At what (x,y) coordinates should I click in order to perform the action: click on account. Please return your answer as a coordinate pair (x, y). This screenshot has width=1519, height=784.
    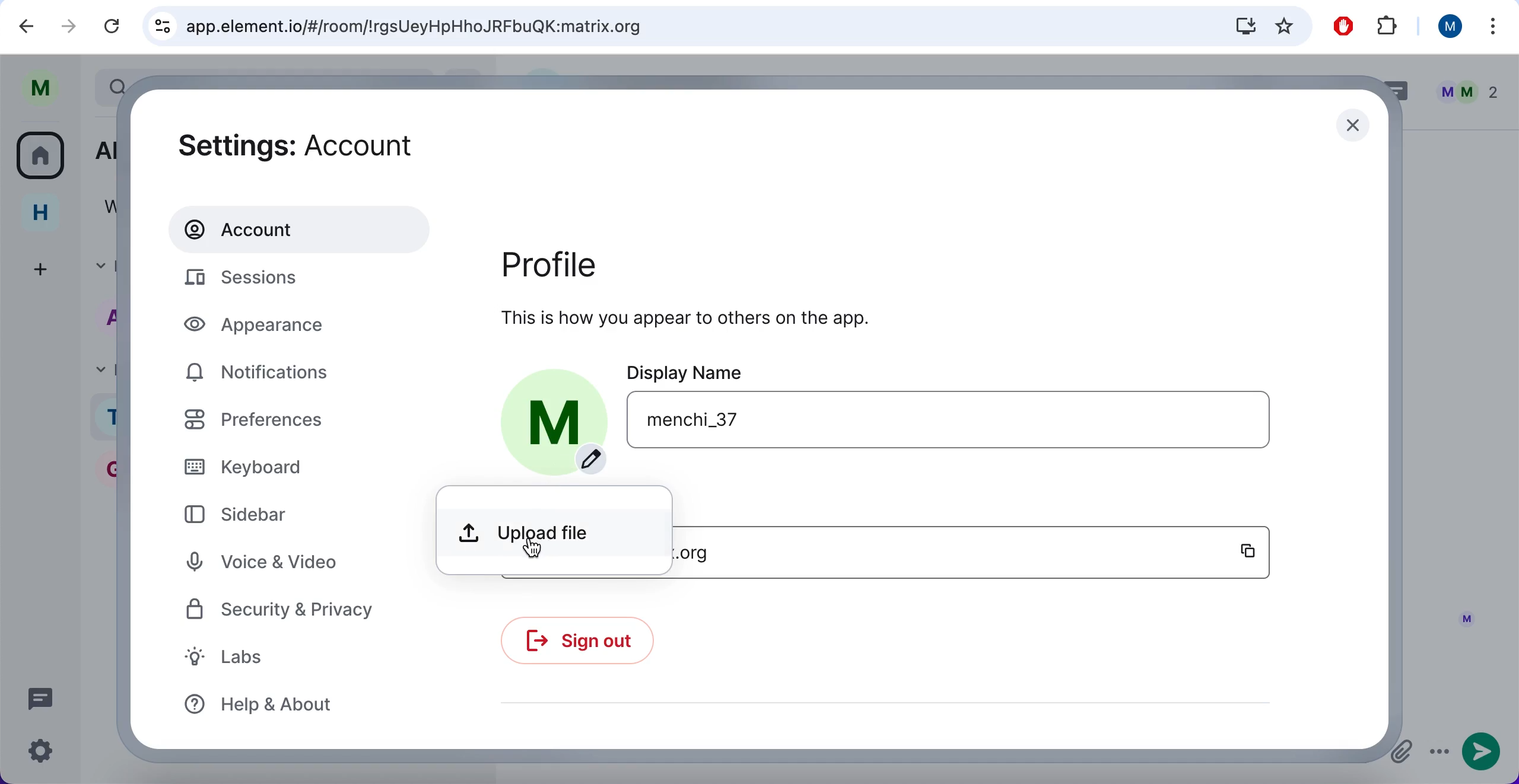
    Looking at the image, I should click on (303, 227).